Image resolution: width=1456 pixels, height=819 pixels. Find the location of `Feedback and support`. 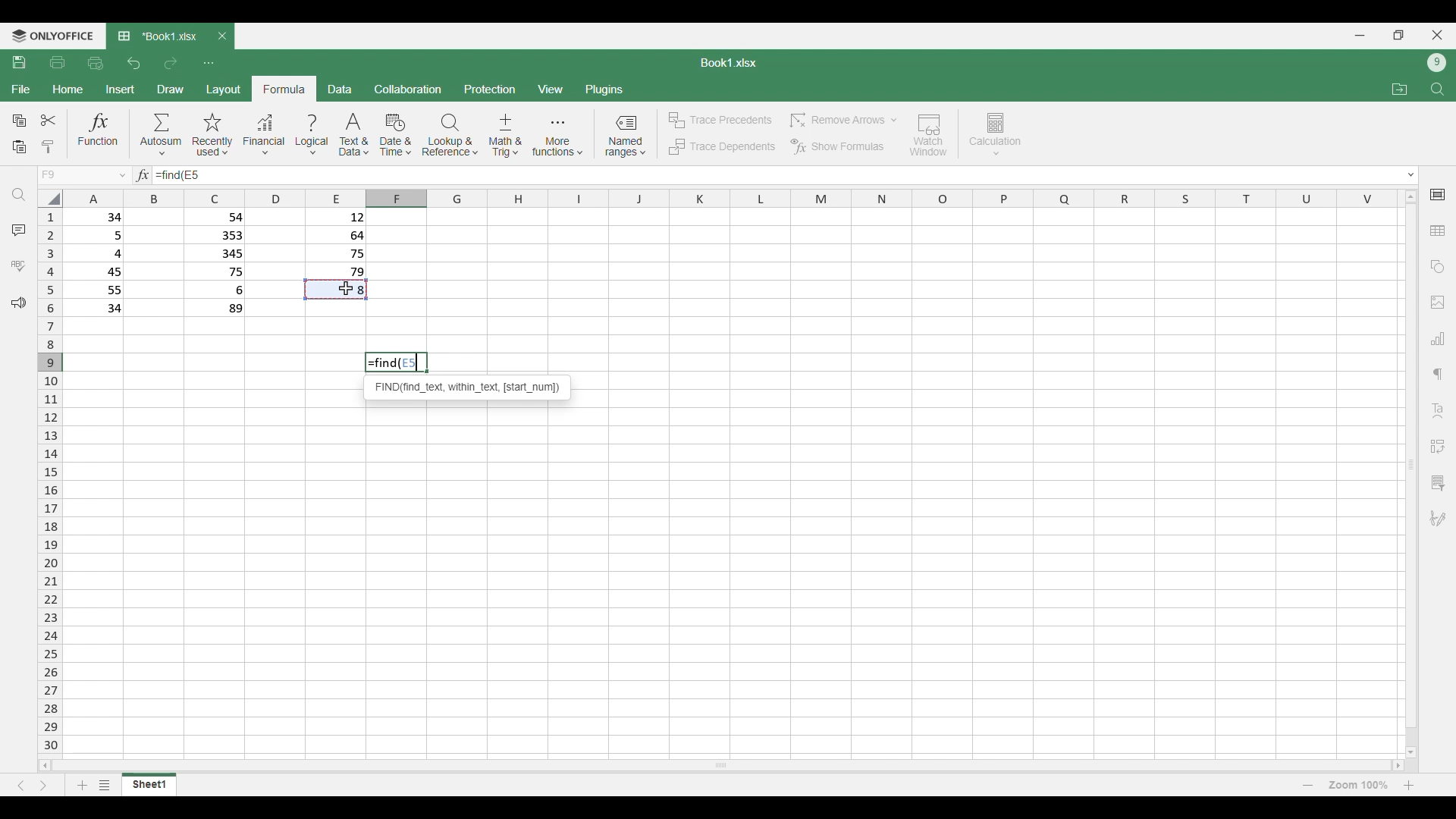

Feedback and support is located at coordinates (18, 303).